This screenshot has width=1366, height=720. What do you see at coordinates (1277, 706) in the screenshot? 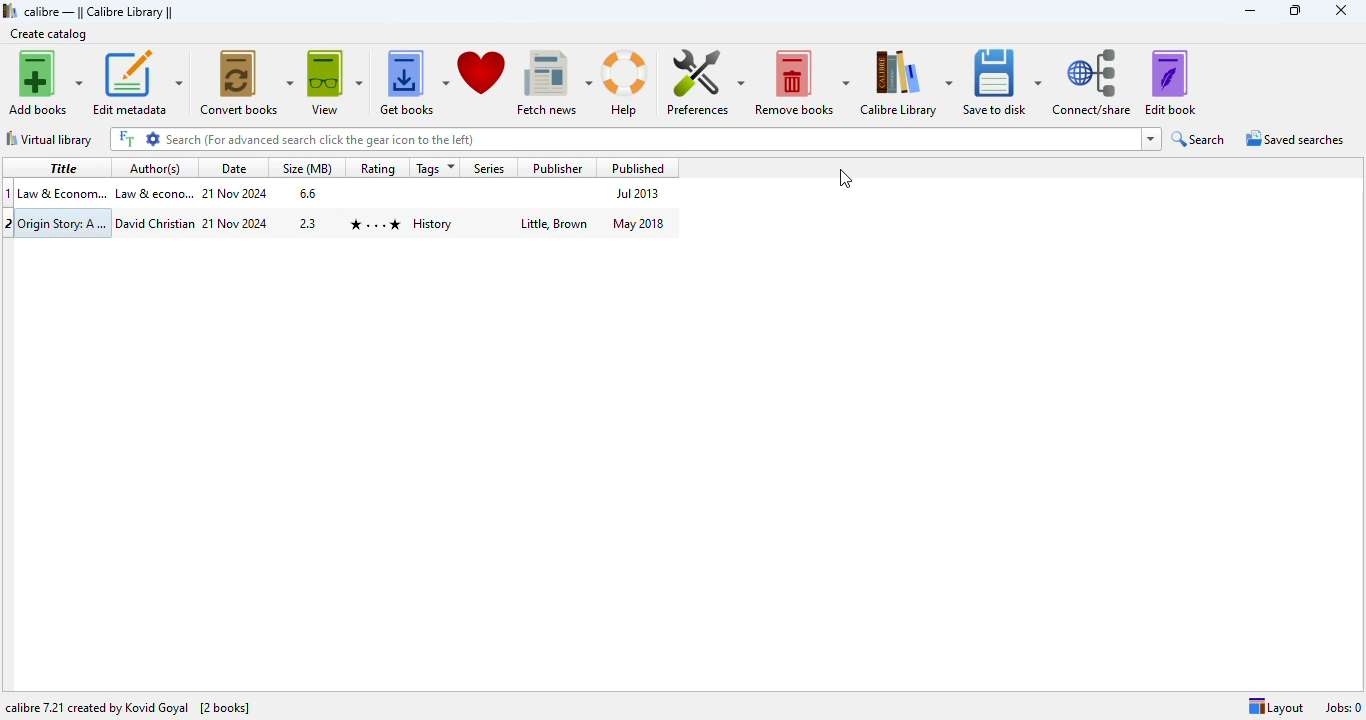
I see `layout` at bounding box center [1277, 706].